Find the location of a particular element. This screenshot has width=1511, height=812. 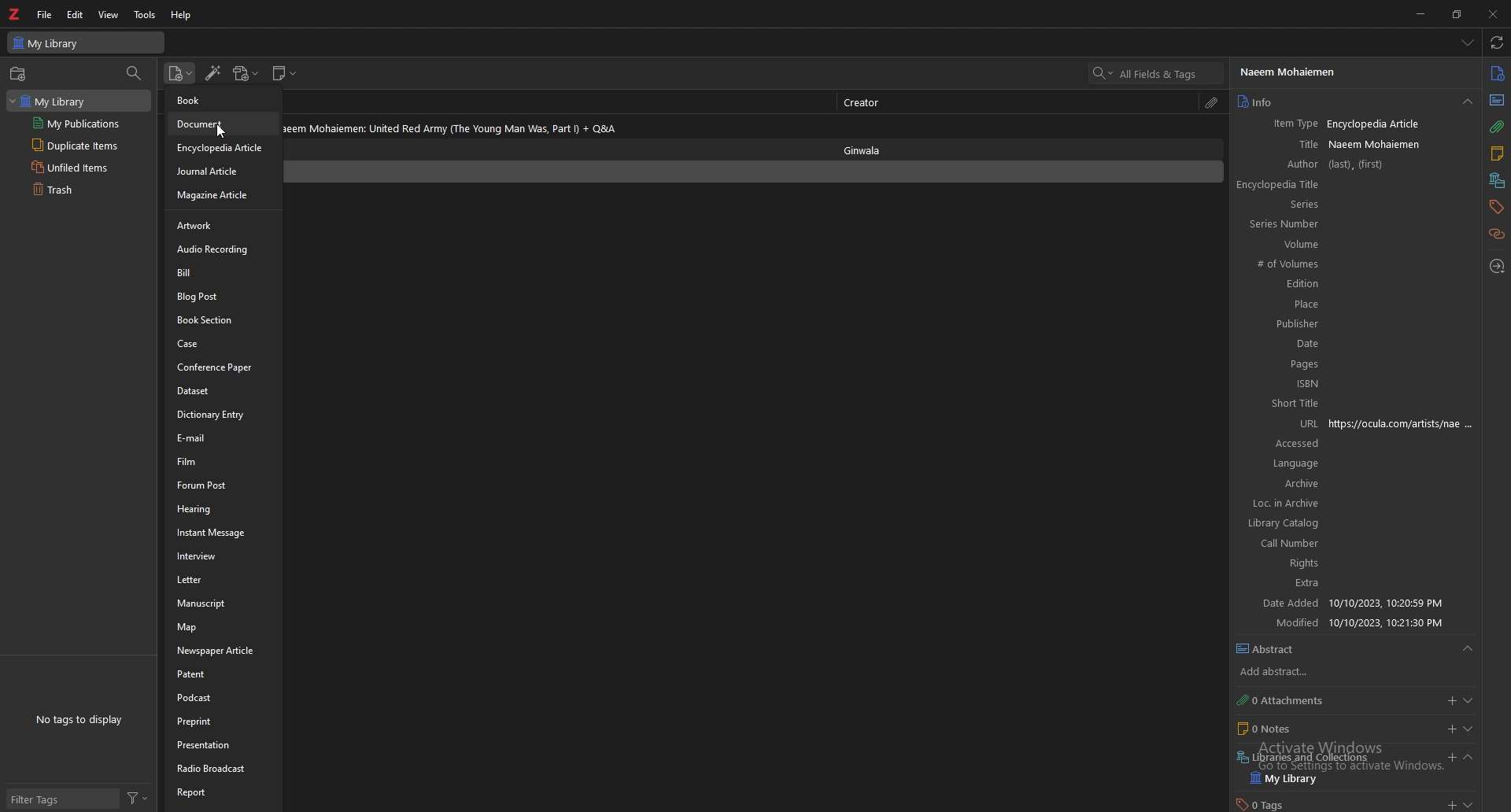

edition is located at coordinates (1279, 285).